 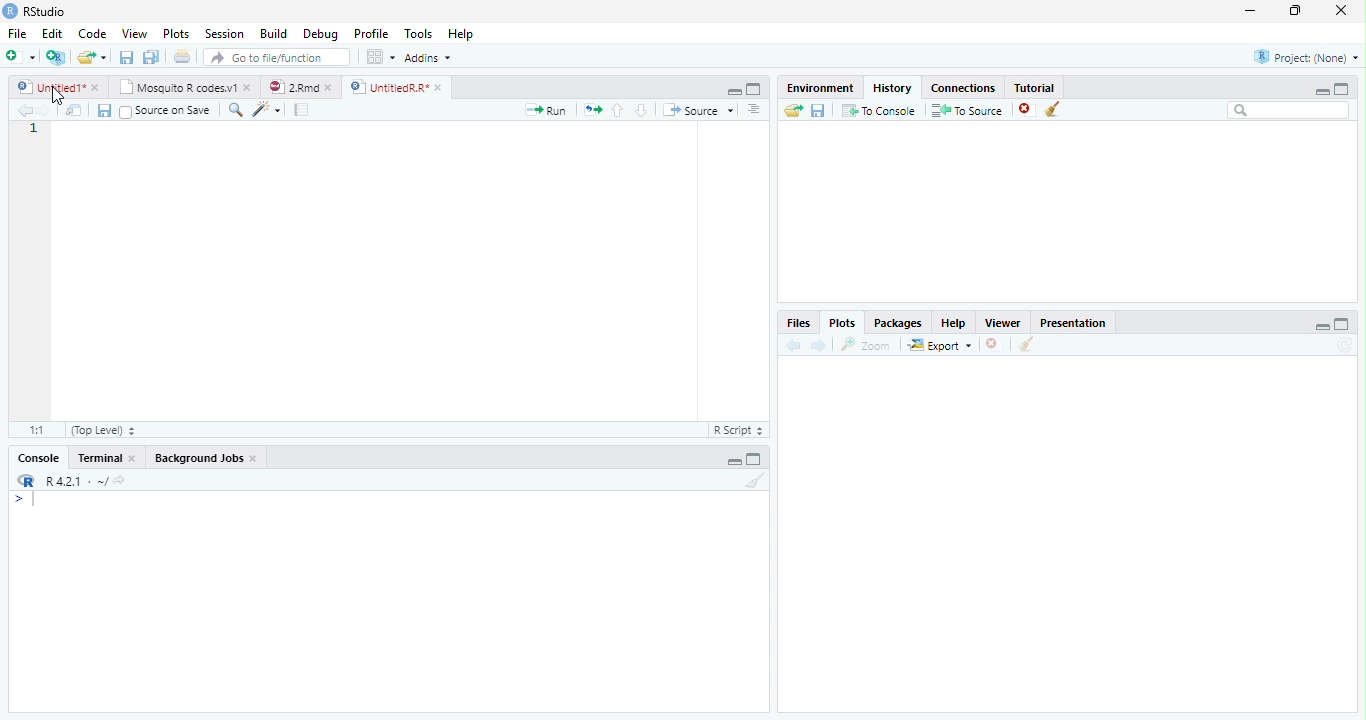 What do you see at coordinates (120, 478) in the screenshot?
I see `View the current working directory` at bounding box center [120, 478].